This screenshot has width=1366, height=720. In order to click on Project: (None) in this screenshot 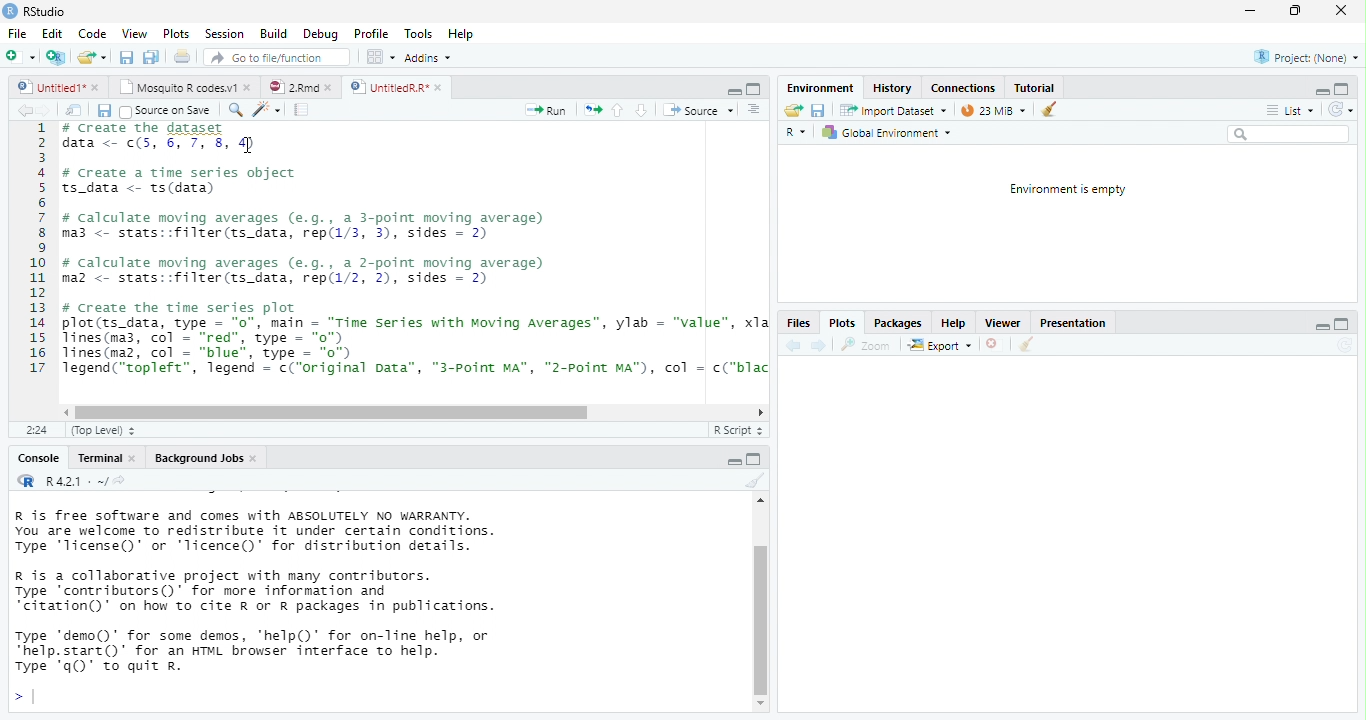, I will do `click(1307, 58)`.